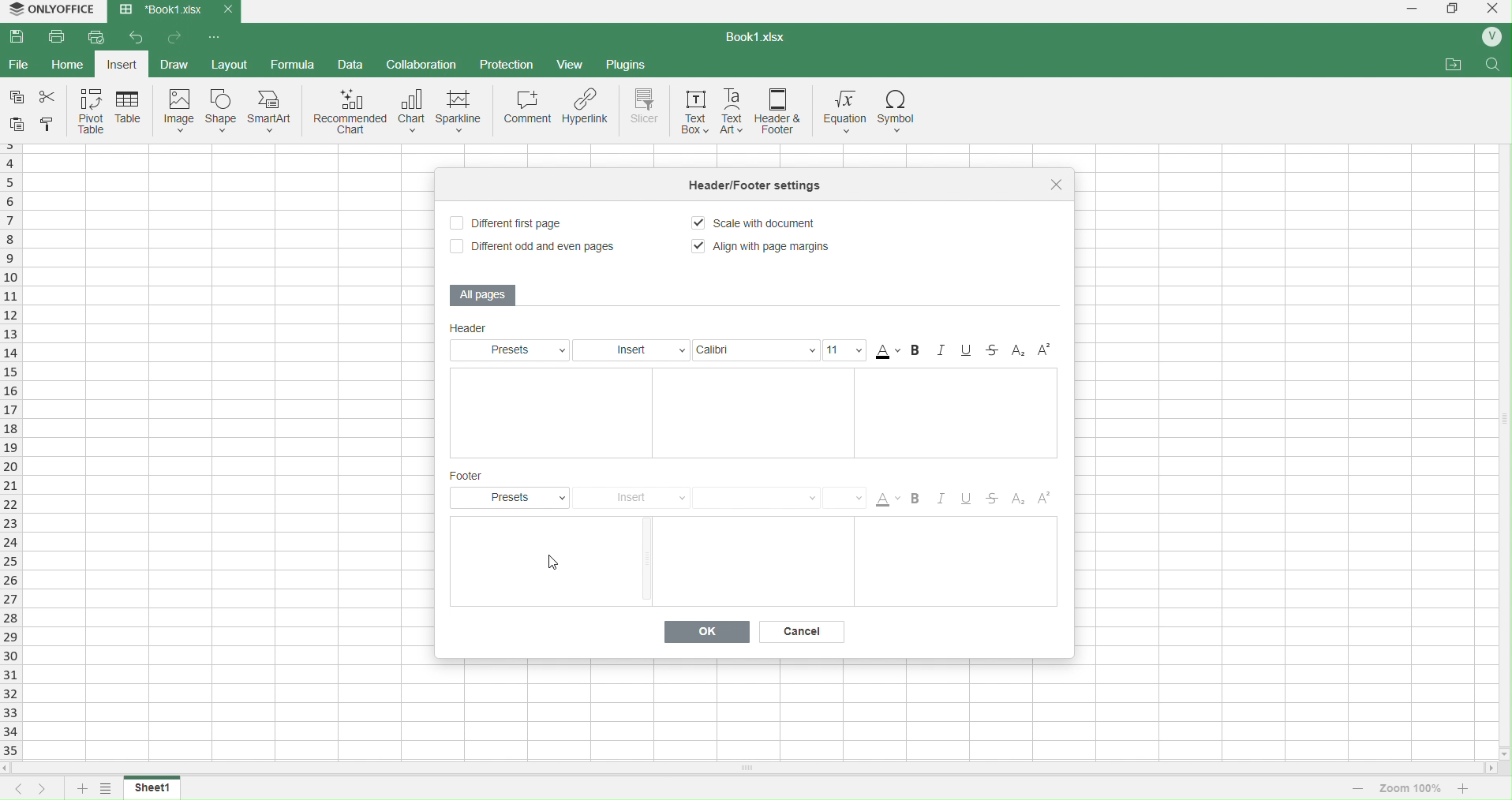  Describe the element at coordinates (222, 111) in the screenshot. I see `shape` at that location.